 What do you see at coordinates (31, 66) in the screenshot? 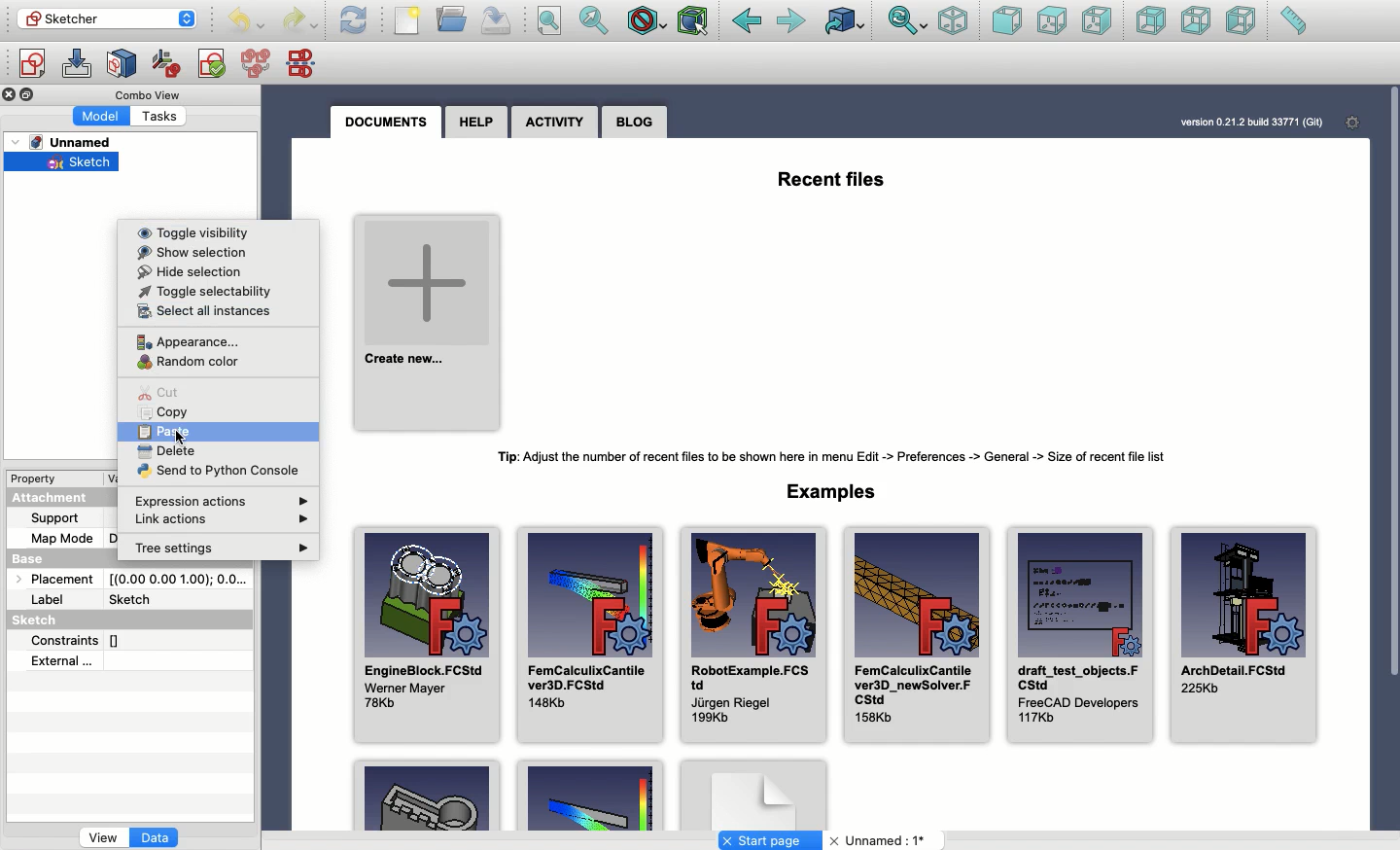
I see `Create sketch ` at bounding box center [31, 66].